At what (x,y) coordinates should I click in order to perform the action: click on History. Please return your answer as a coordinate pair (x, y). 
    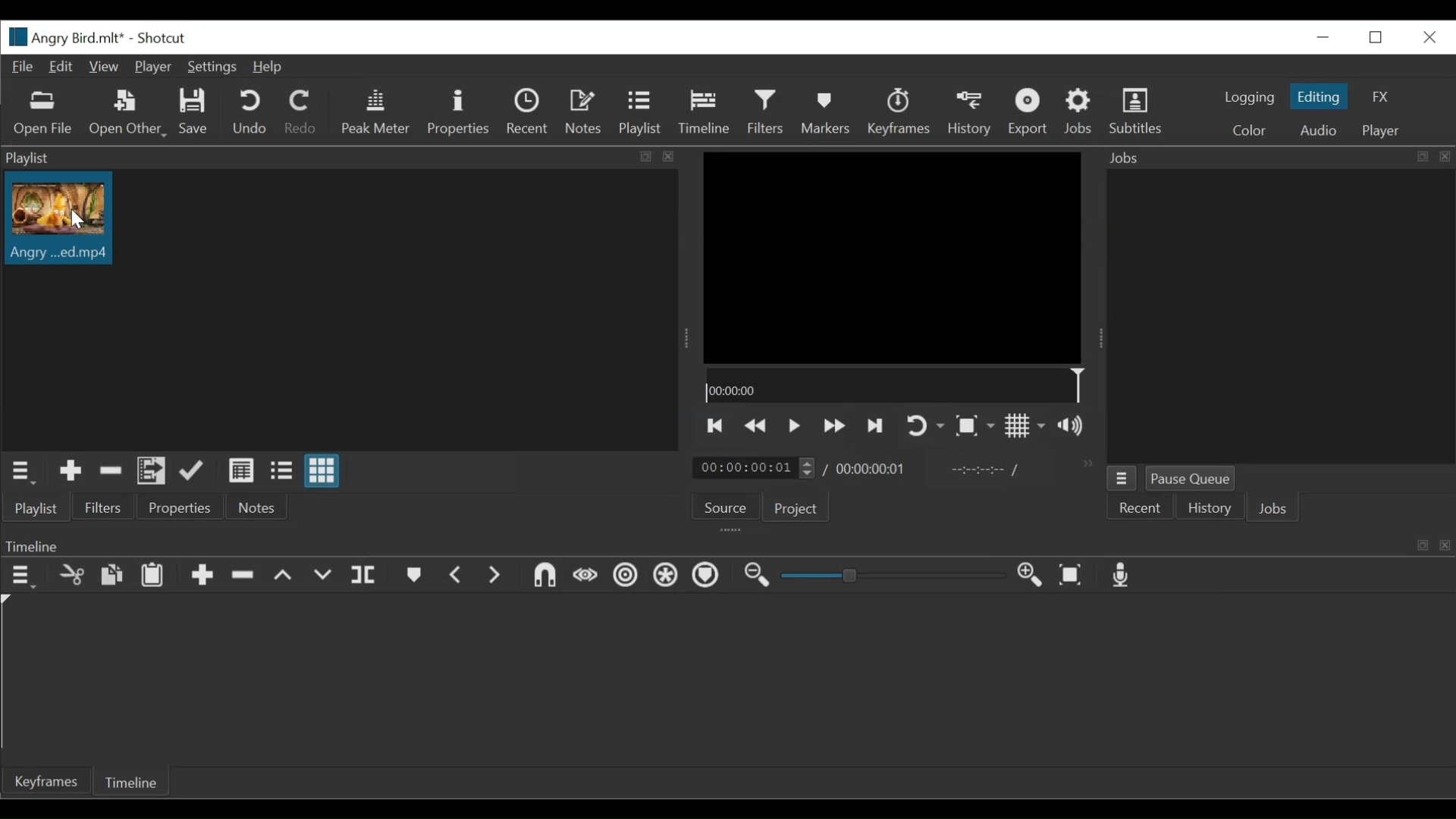
    Looking at the image, I should click on (971, 115).